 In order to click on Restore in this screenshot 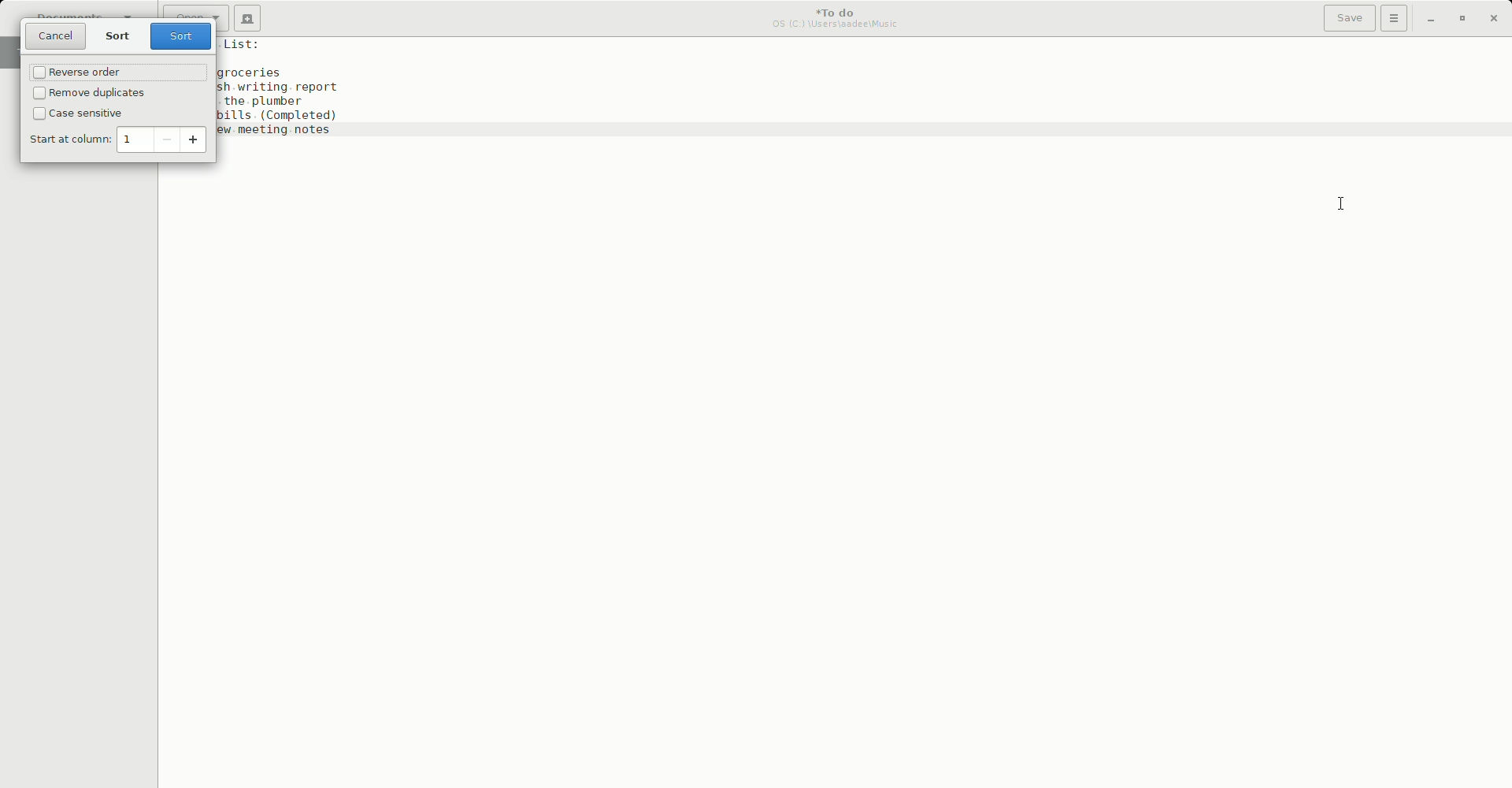, I will do `click(1463, 18)`.